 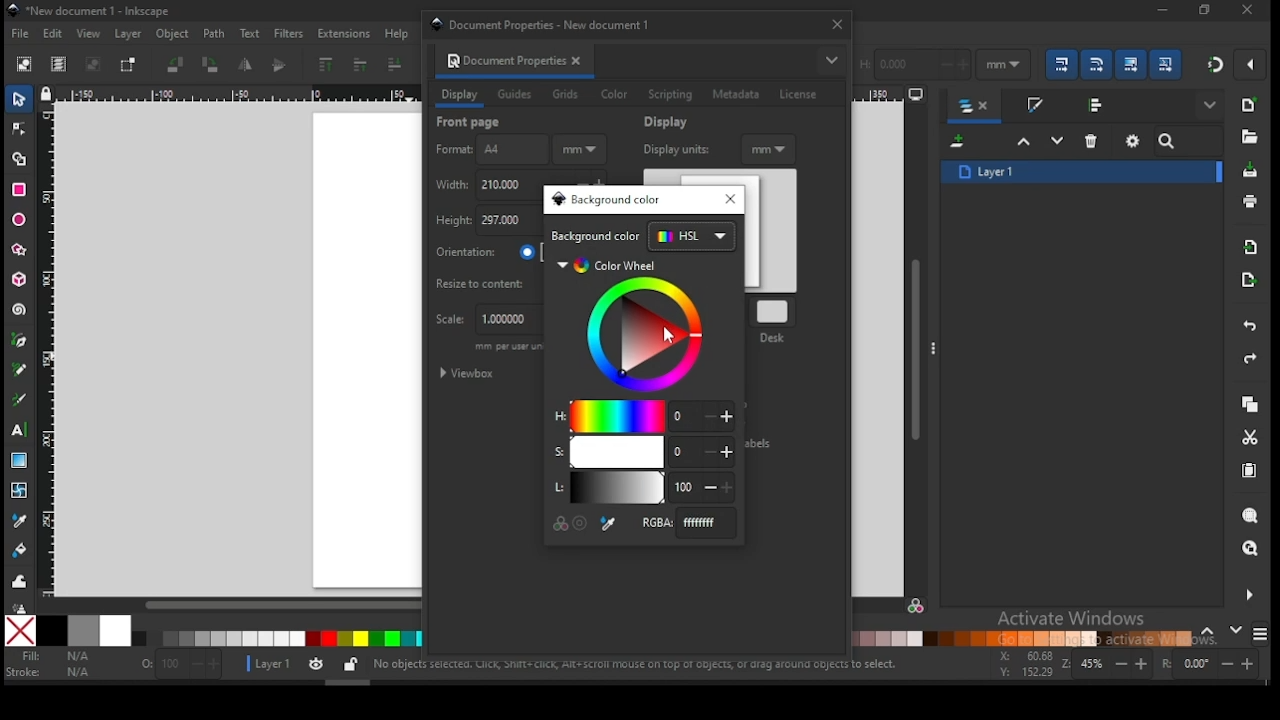 What do you see at coordinates (59, 65) in the screenshot?
I see `select all in all layers` at bounding box center [59, 65].